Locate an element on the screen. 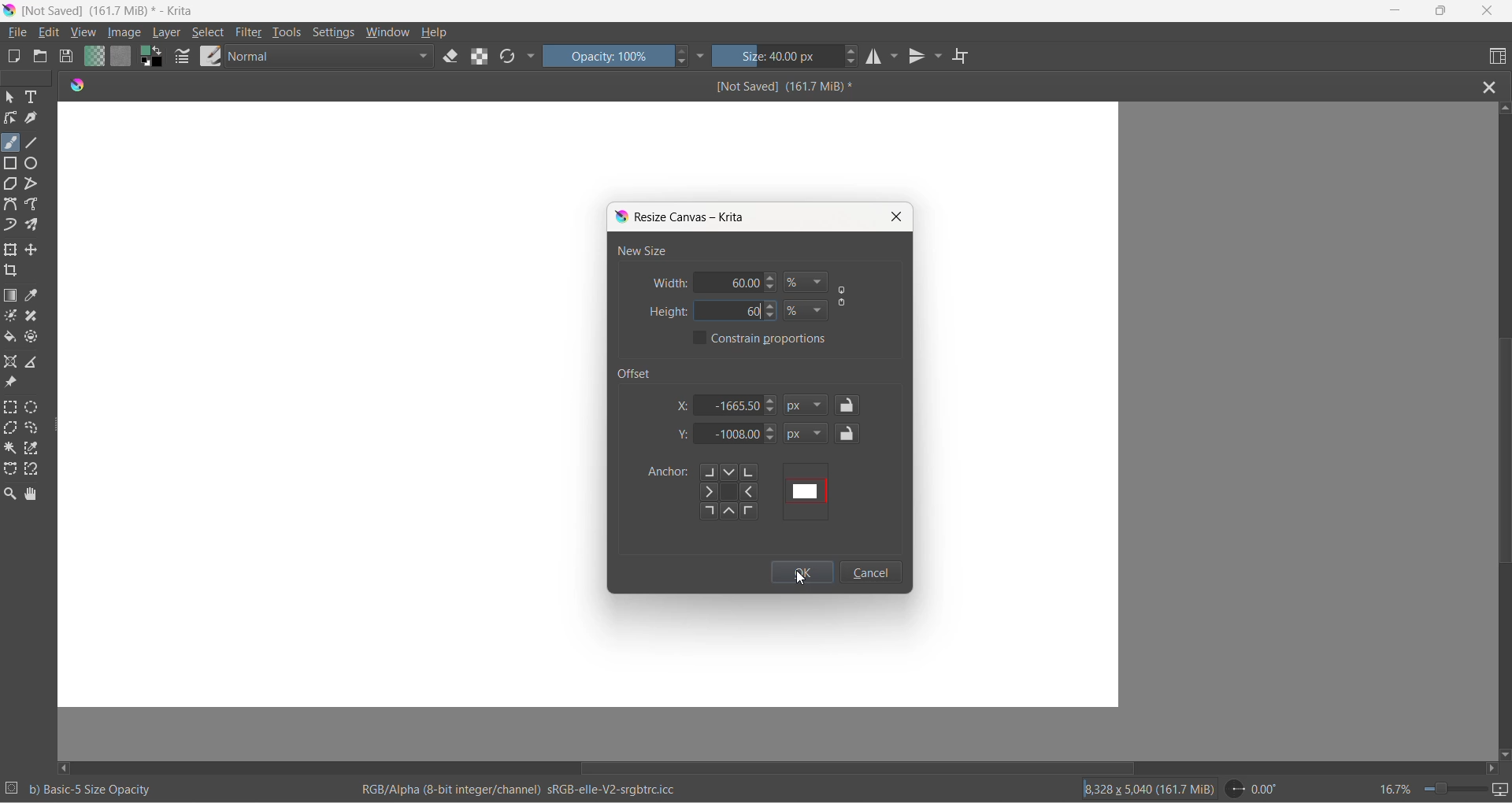 The height and width of the screenshot is (803, 1512). vertical mirror tool is located at coordinates (918, 58).